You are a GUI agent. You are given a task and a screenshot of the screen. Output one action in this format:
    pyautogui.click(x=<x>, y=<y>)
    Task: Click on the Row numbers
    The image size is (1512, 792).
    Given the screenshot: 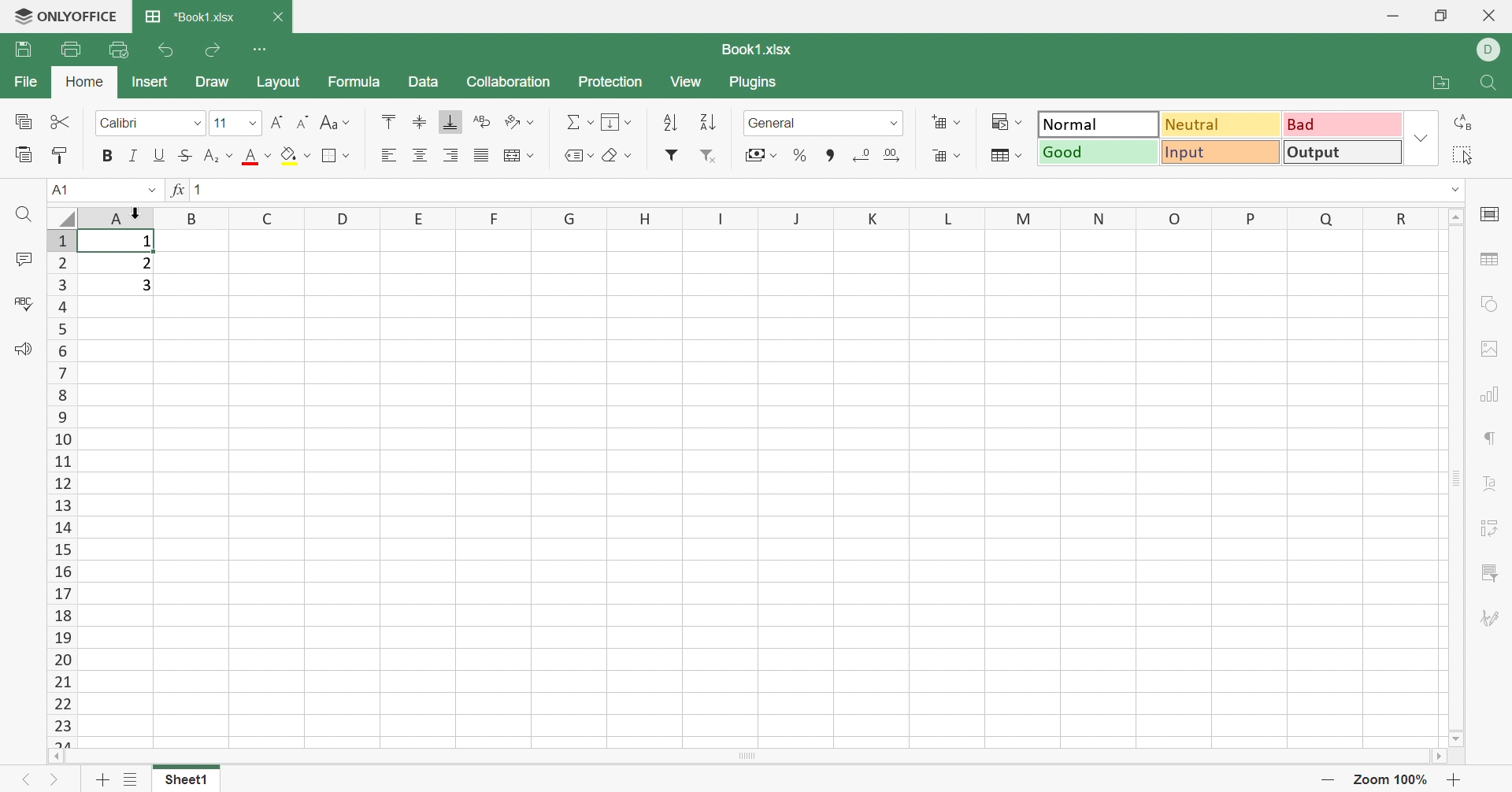 What is the action you would take?
    pyautogui.click(x=62, y=490)
    